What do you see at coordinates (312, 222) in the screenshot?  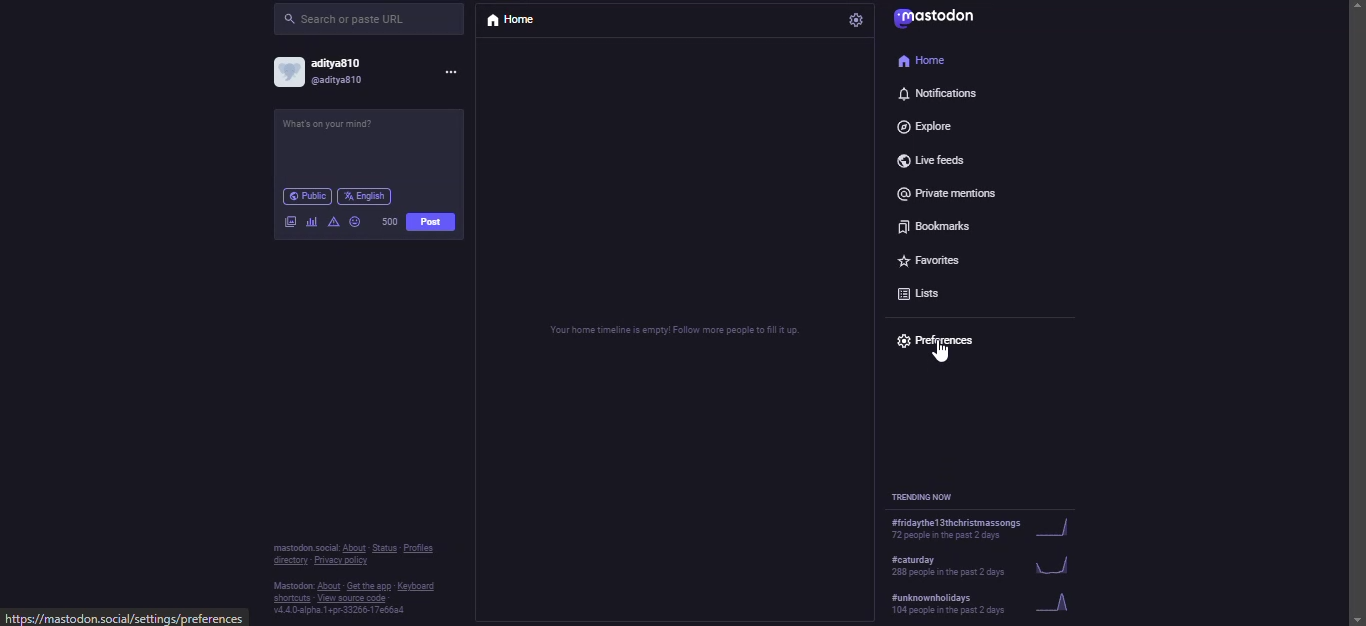 I see `polls` at bounding box center [312, 222].